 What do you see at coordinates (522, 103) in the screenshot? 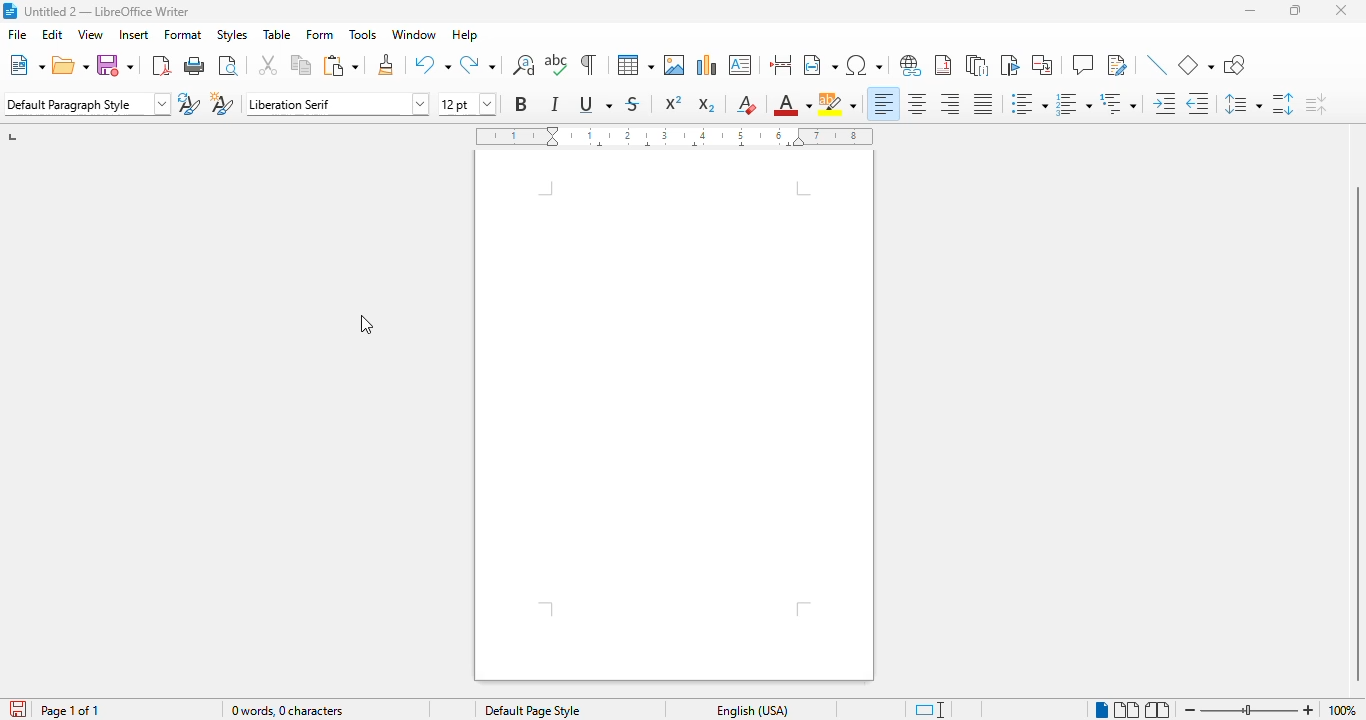
I see `bold` at bounding box center [522, 103].